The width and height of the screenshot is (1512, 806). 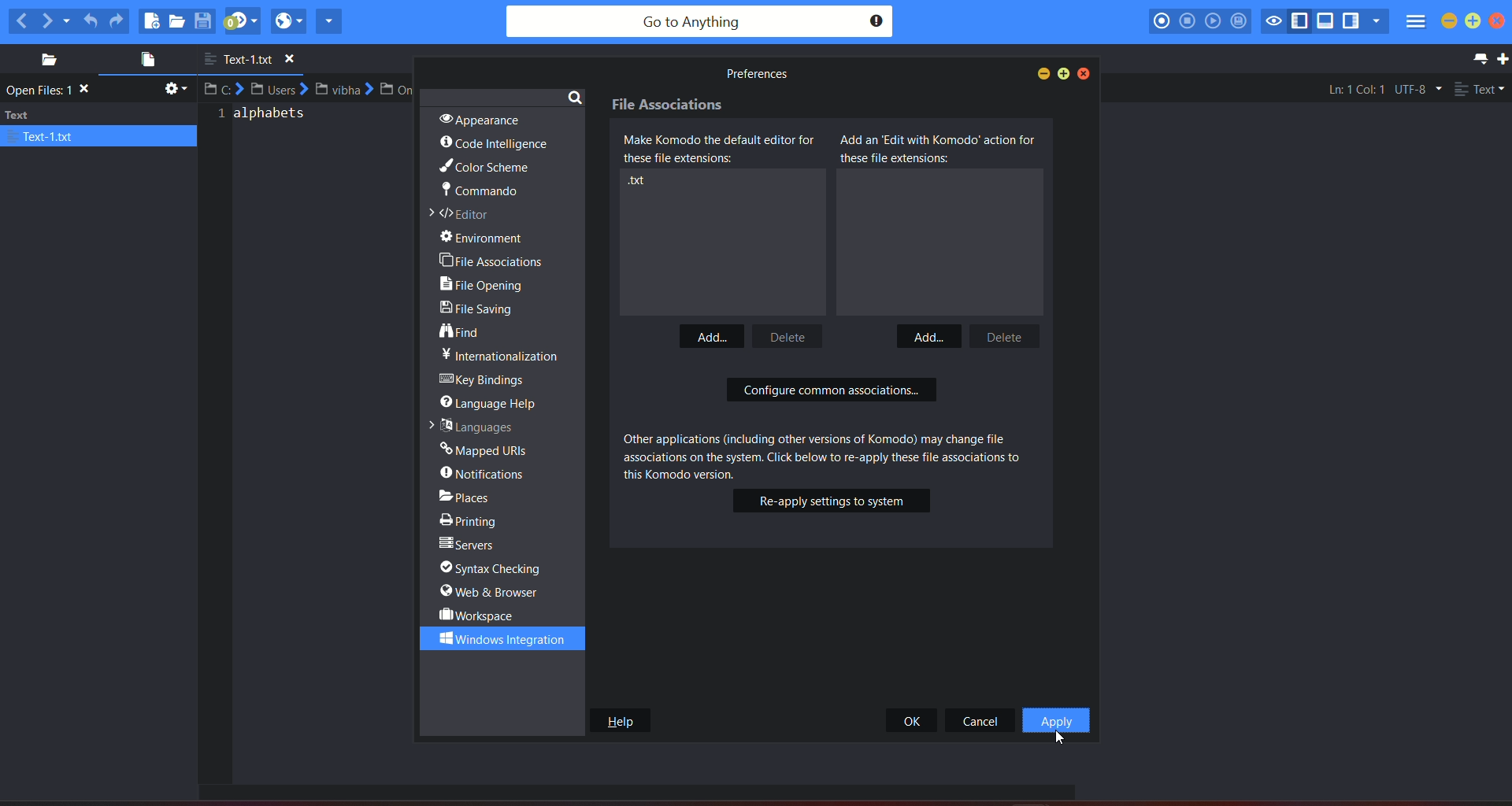 I want to click on servers, so click(x=469, y=545).